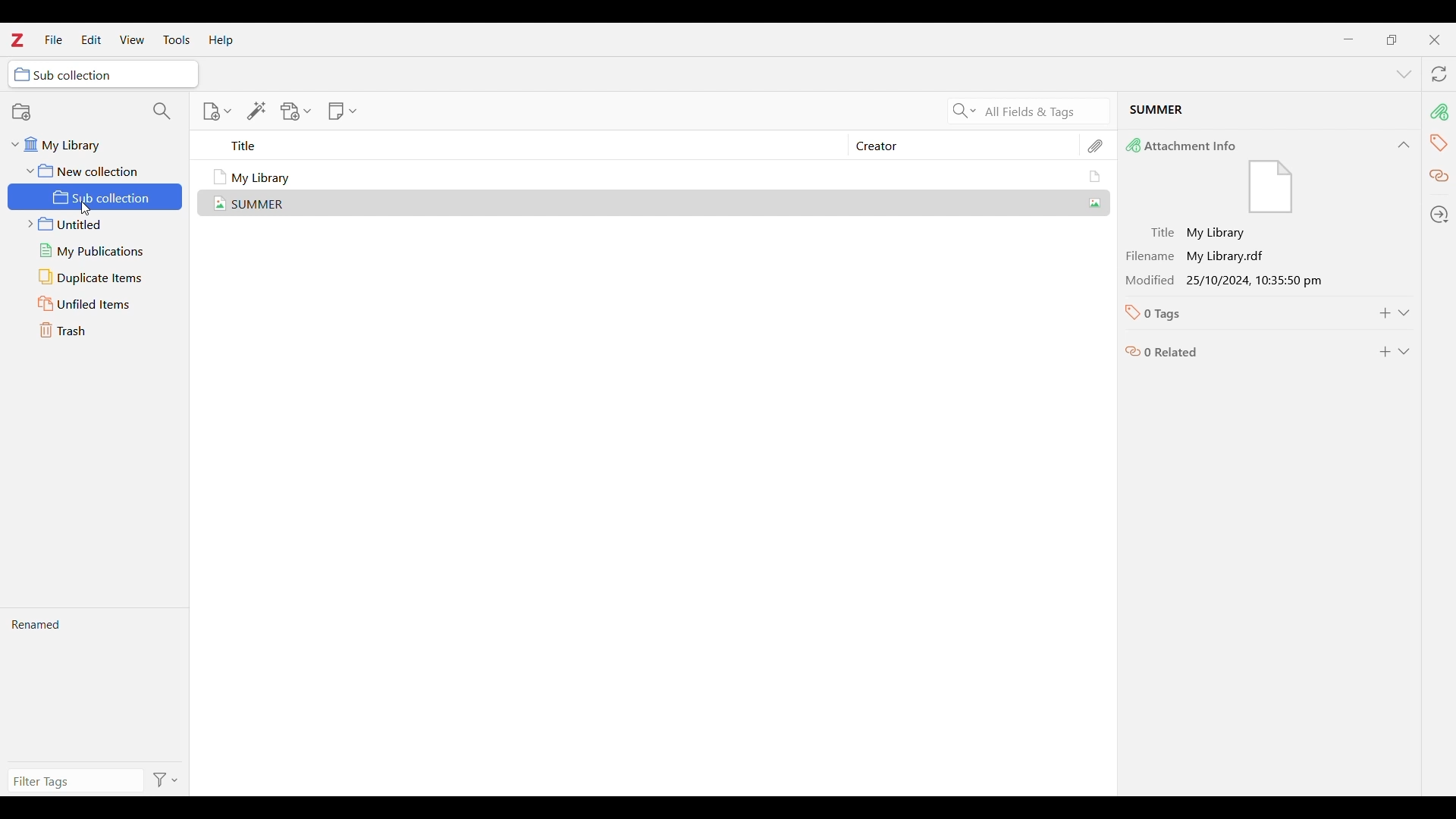  Describe the element at coordinates (87, 145) in the screenshot. I see `My library` at that location.